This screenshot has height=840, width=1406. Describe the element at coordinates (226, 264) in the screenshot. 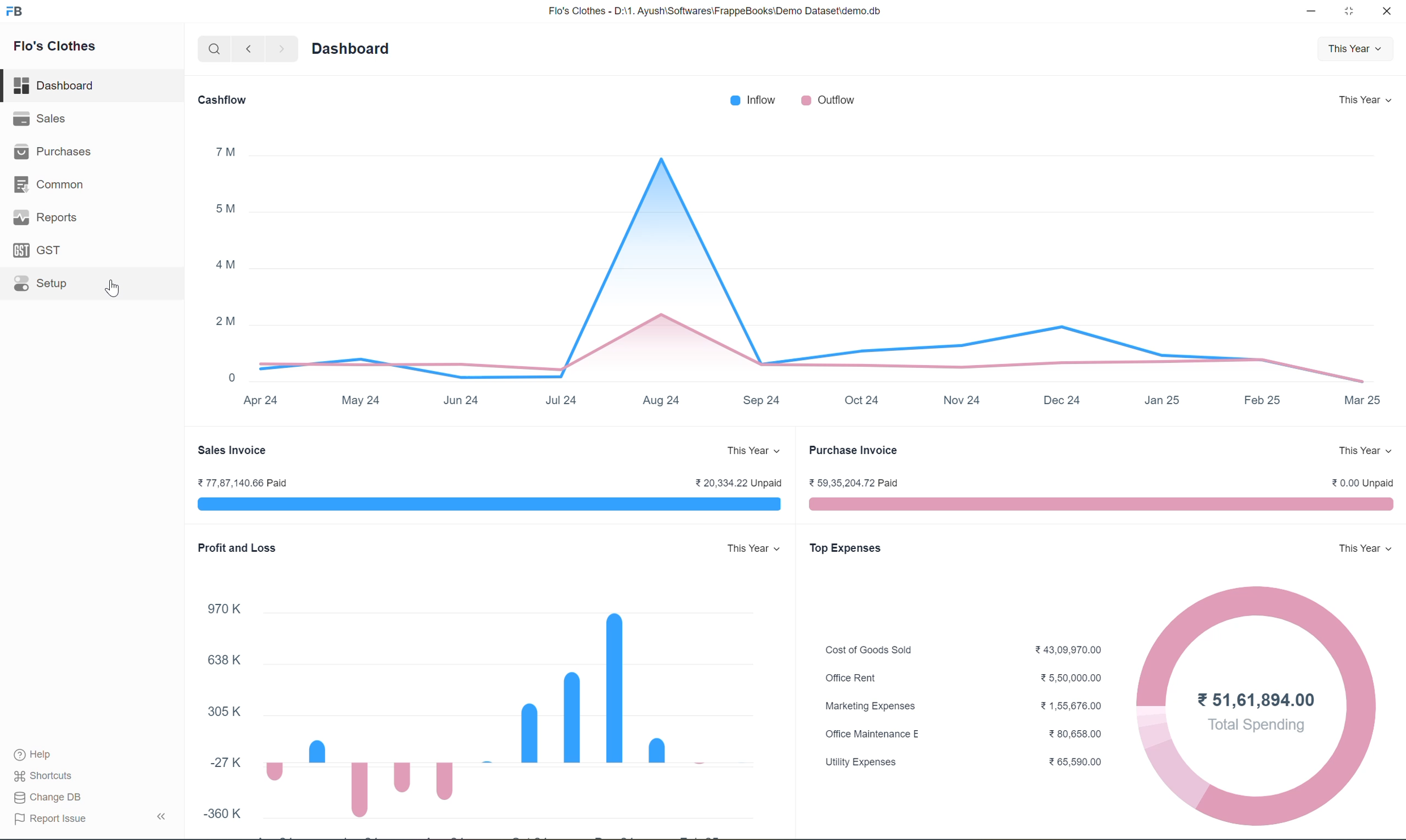

I see `4M` at that location.